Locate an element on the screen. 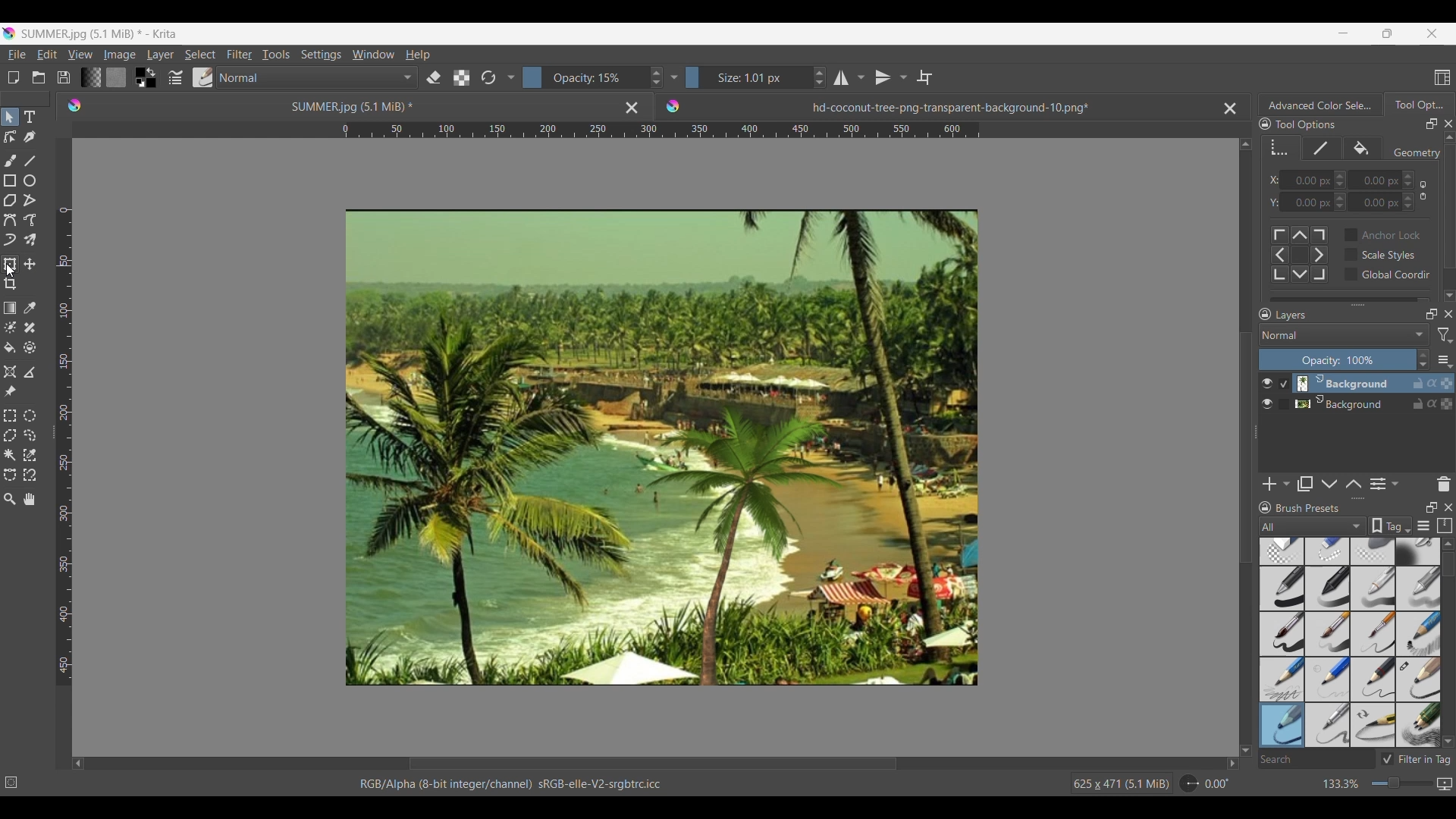  Maximize is located at coordinates (1446, 405).